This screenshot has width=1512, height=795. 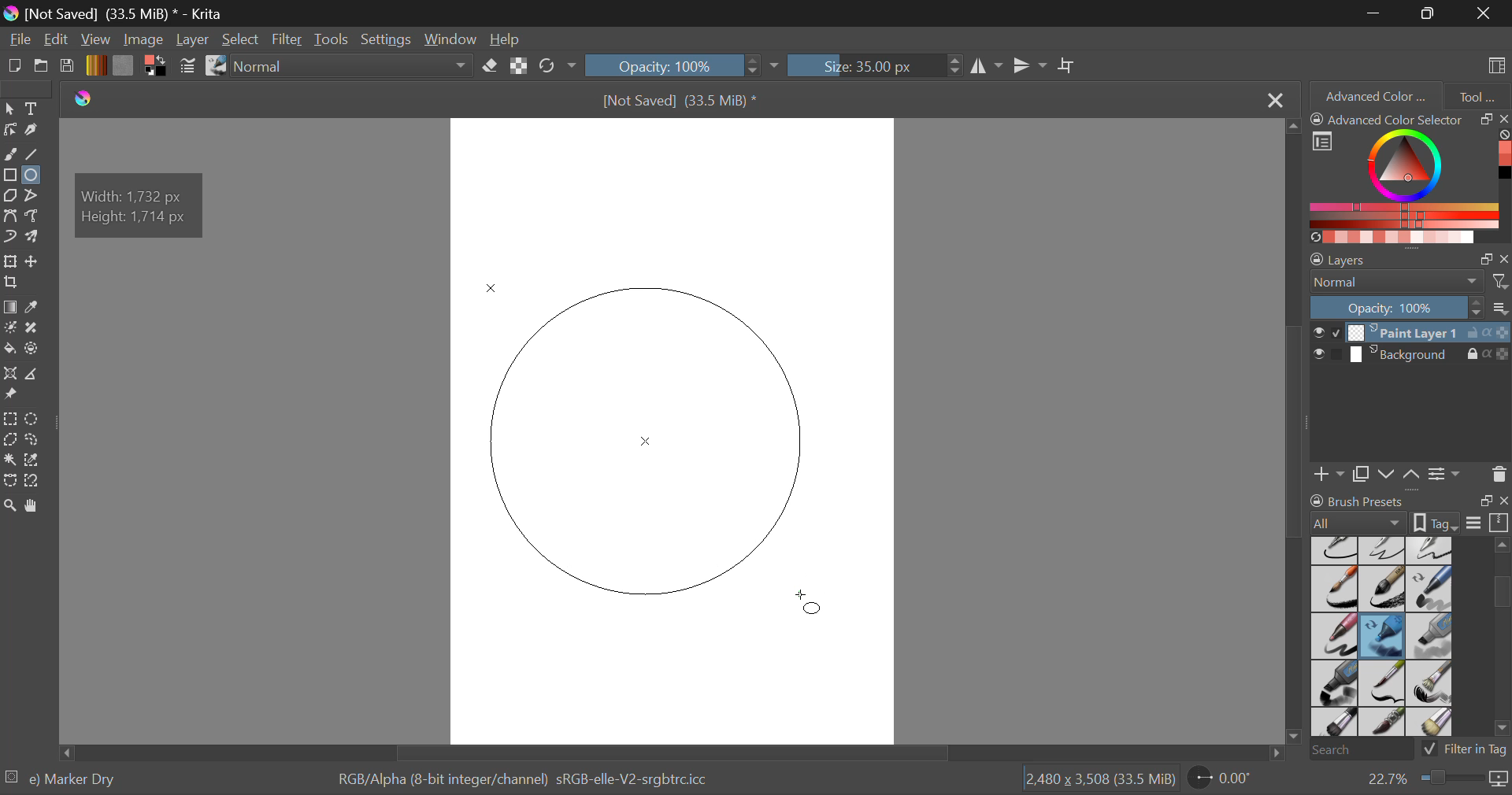 I want to click on Freehand Selection Tool, so click(x=34, y=439).